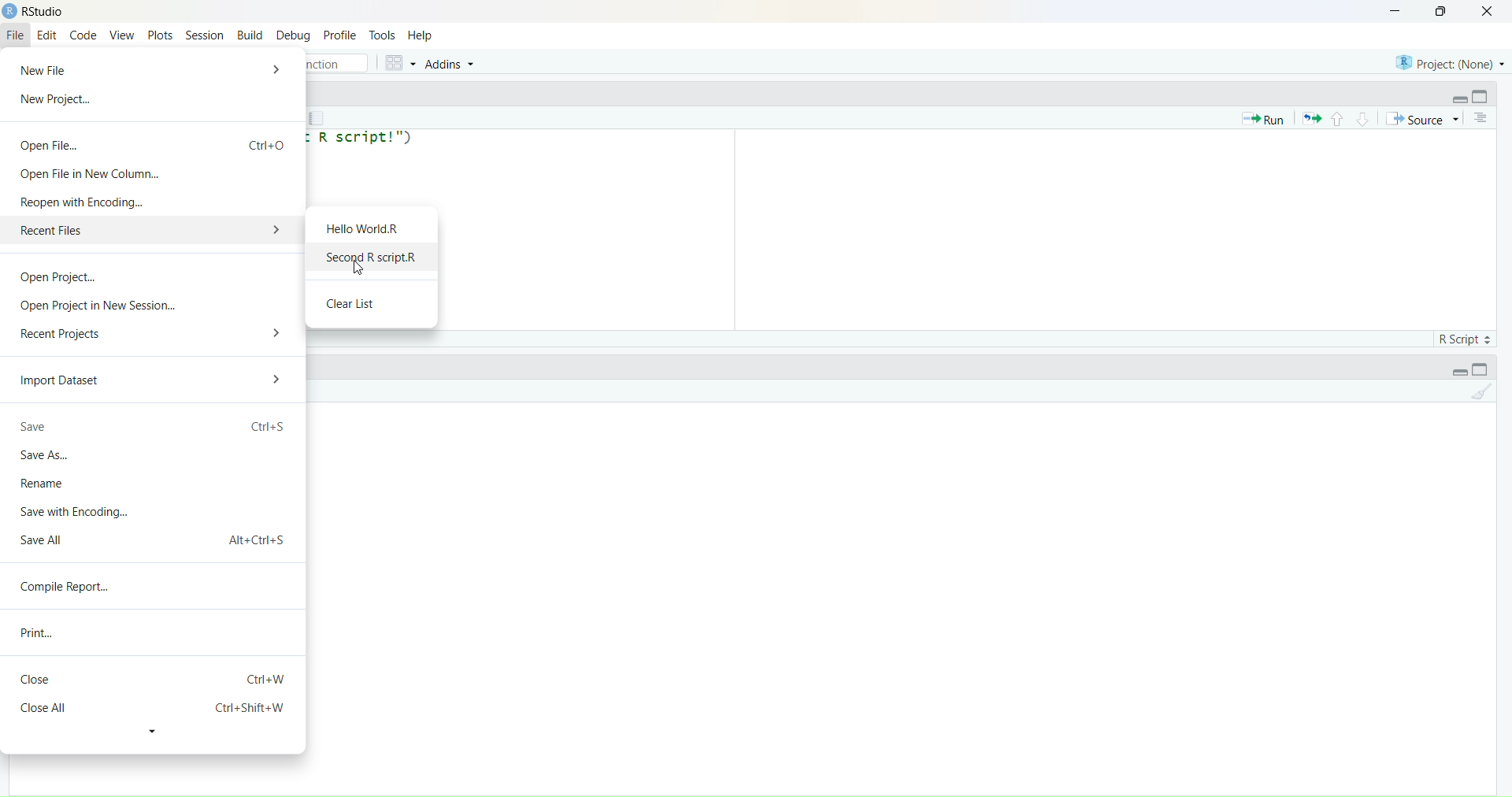 This screenshot has height=797, width=1512. I want to click on File, so click(17, 34).